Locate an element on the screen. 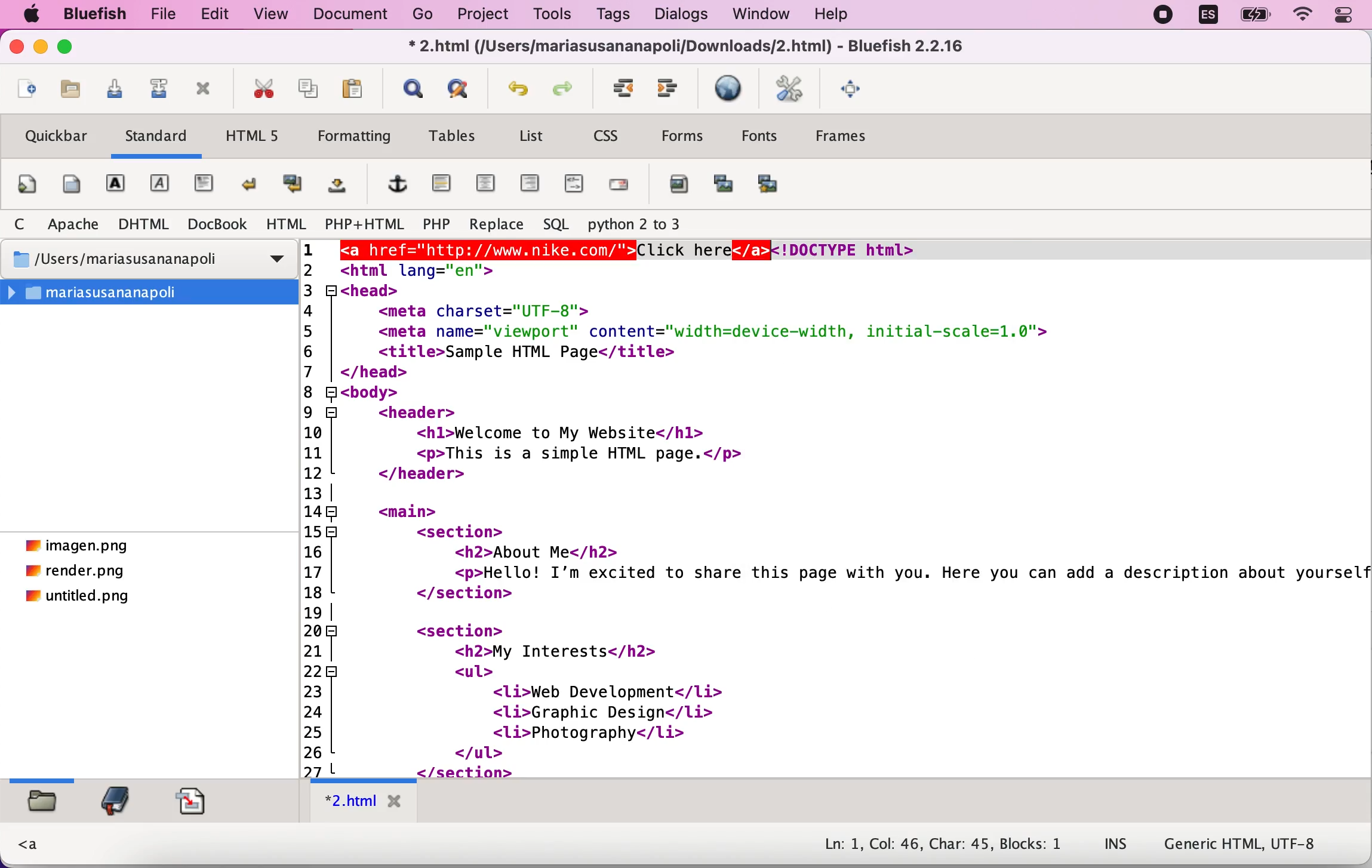 The height and width of the screenshot is (868, 1372). <a href="http://www.nike.com/">Click here</a><!DOCTYPE html>2 <html lang="en">3 <head>4 <meta charset="UTF-8">5 <meta name="viewport" content="width=device-width, initial-scale=1.0">6 <title>Sample HTML Page</title>7 | </head>8 H<body>9 <header>10 <hl>Welcome to My Website</hl>11 <p>This is a simple HTML page.</p>12 </header>13 |14R <main>15 <section>16 <h2>About Me</h2>17 <p>Hello! I'm excited to share this page with you. Here you can add a description about yoursel18 </section>19 |20 <section>21] <h2>My Interests</h2>22 <ul>23 <li>Web Development</li>24 <li>Graphic Design</li>25 <li>Photography</1i>26 </ul>27 L <c/caction> is located at coordinates (832, 511).